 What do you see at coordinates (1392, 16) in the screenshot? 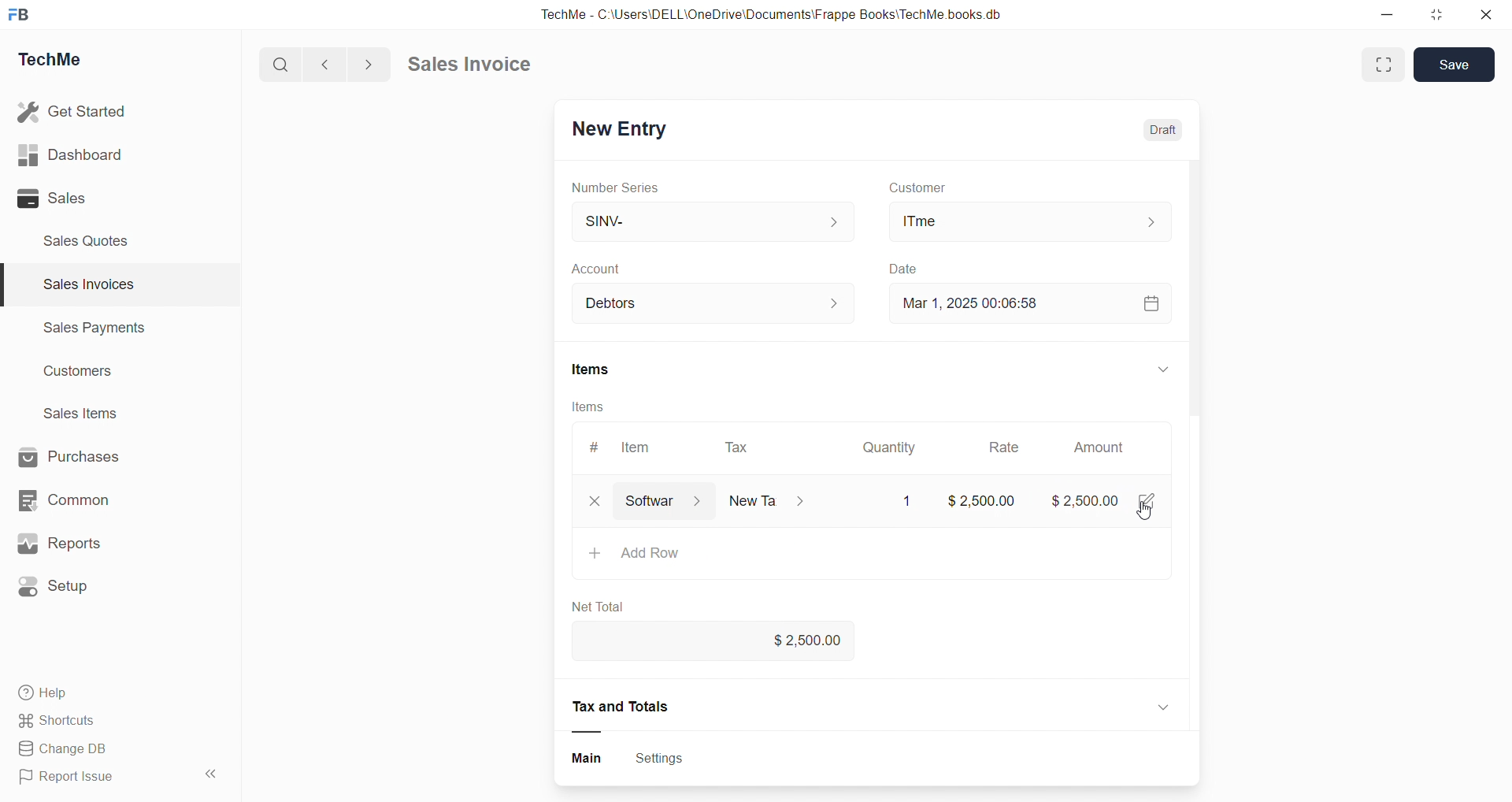
I see `Minimize` at bounding box center [1392, 16].